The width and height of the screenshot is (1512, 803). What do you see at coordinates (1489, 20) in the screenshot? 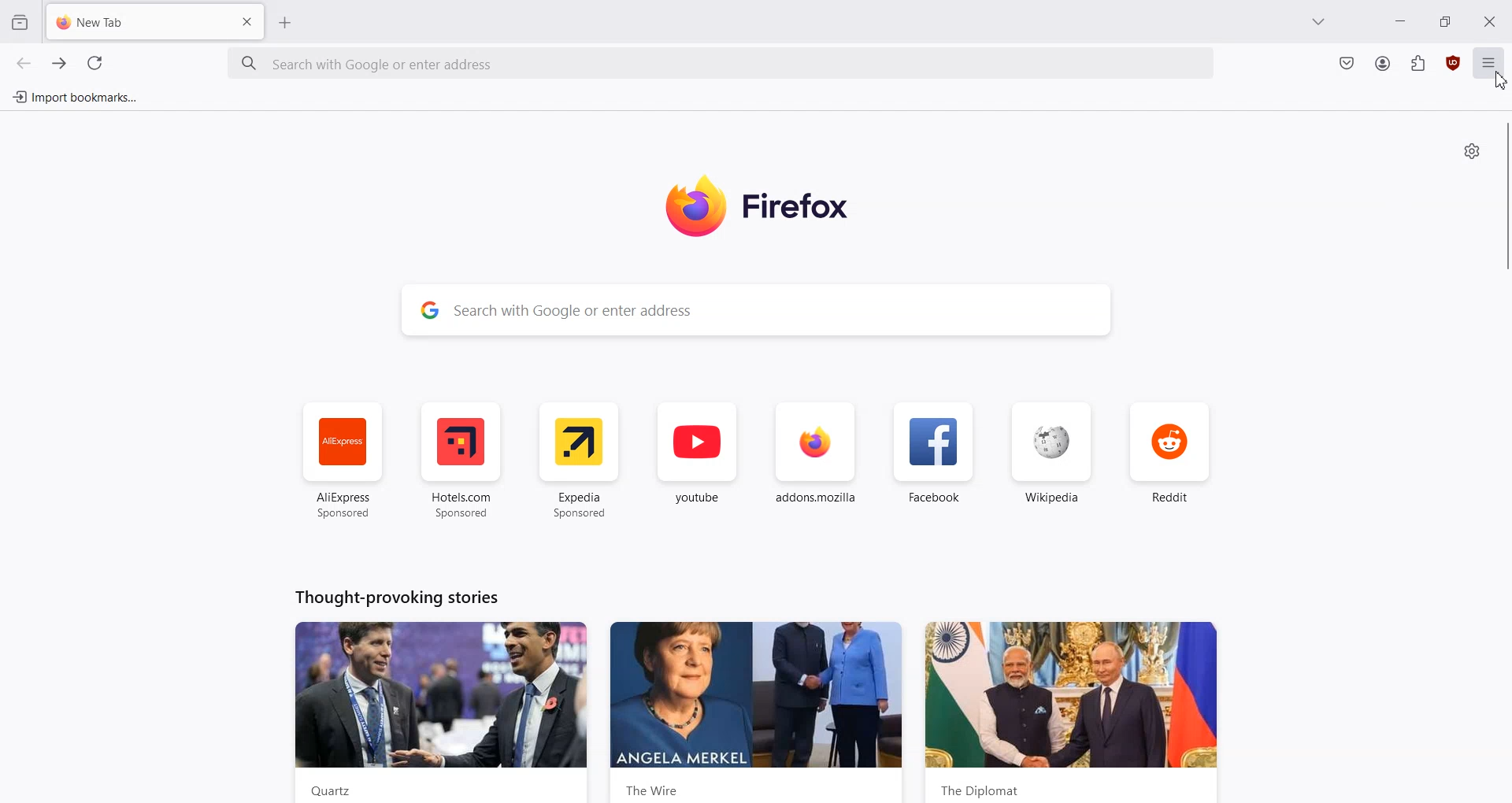
I see `Close` at bounding box center [1489, 20].